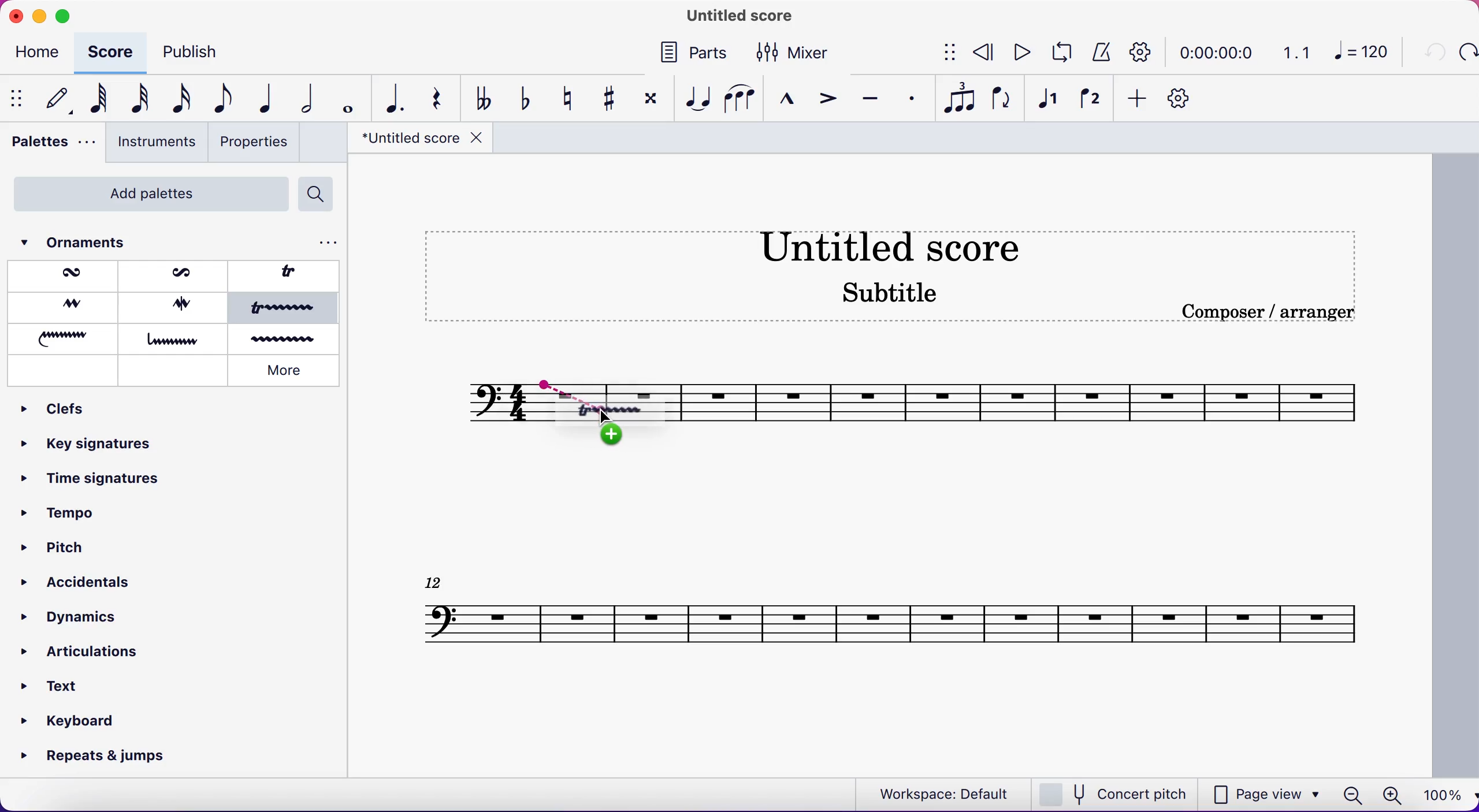 The width and height of the screenshot is (1479, 812). I want to click on accent, so click(827, 98).